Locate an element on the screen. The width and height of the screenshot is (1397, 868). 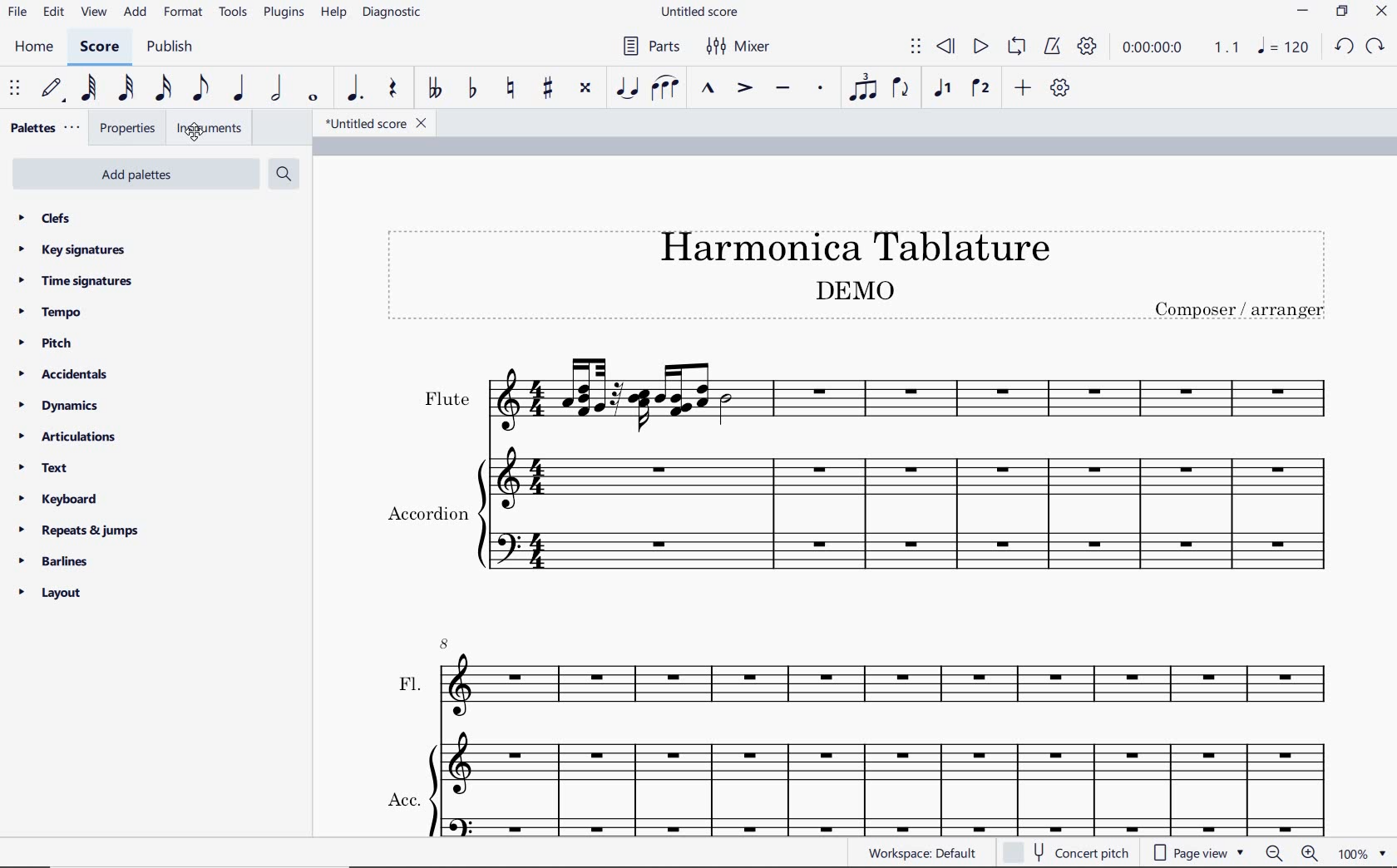
16th note is located at coordinates (164, 88).